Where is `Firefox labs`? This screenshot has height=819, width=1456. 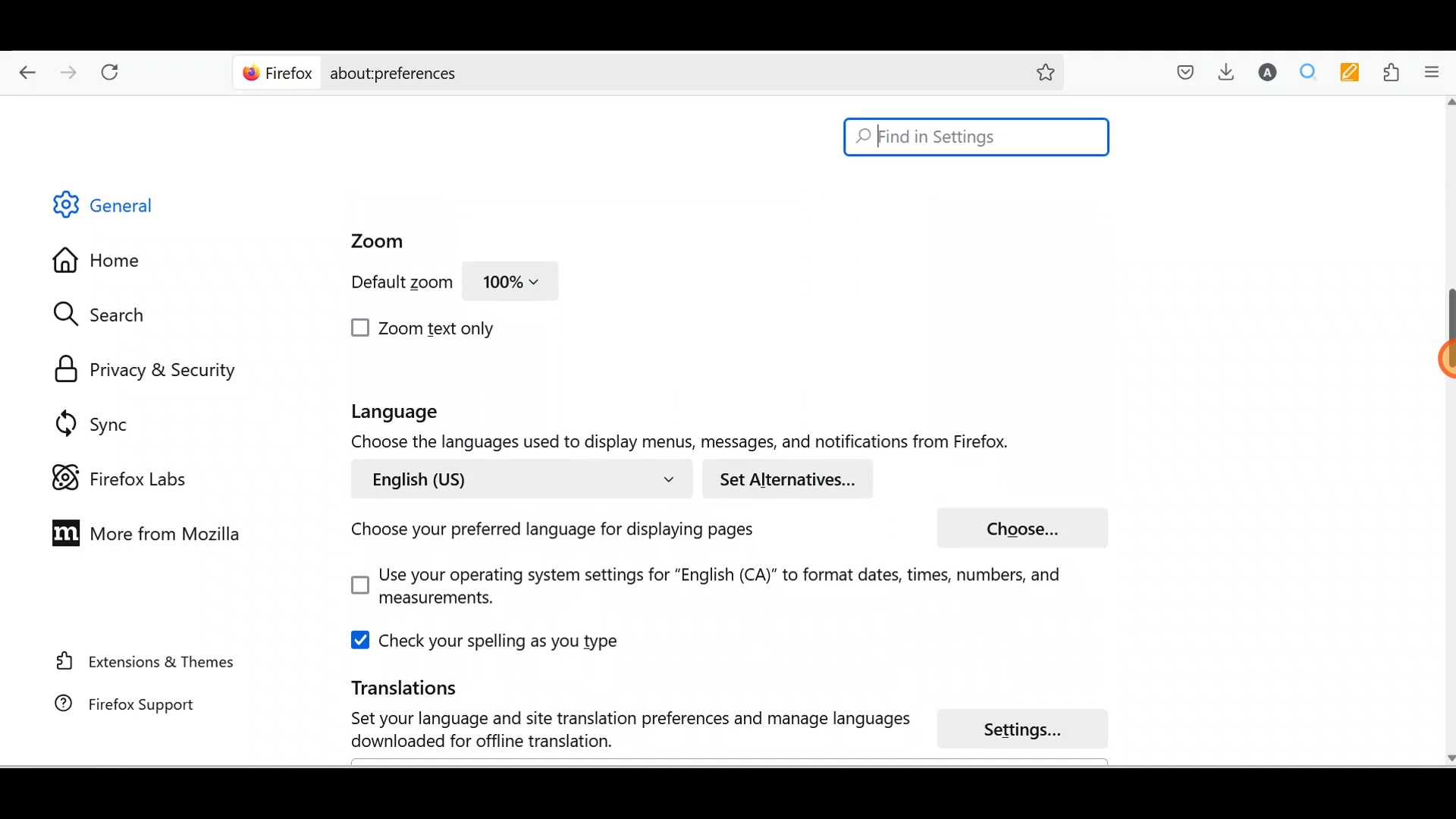
Firefox labs is located at coordinates (124, 479).